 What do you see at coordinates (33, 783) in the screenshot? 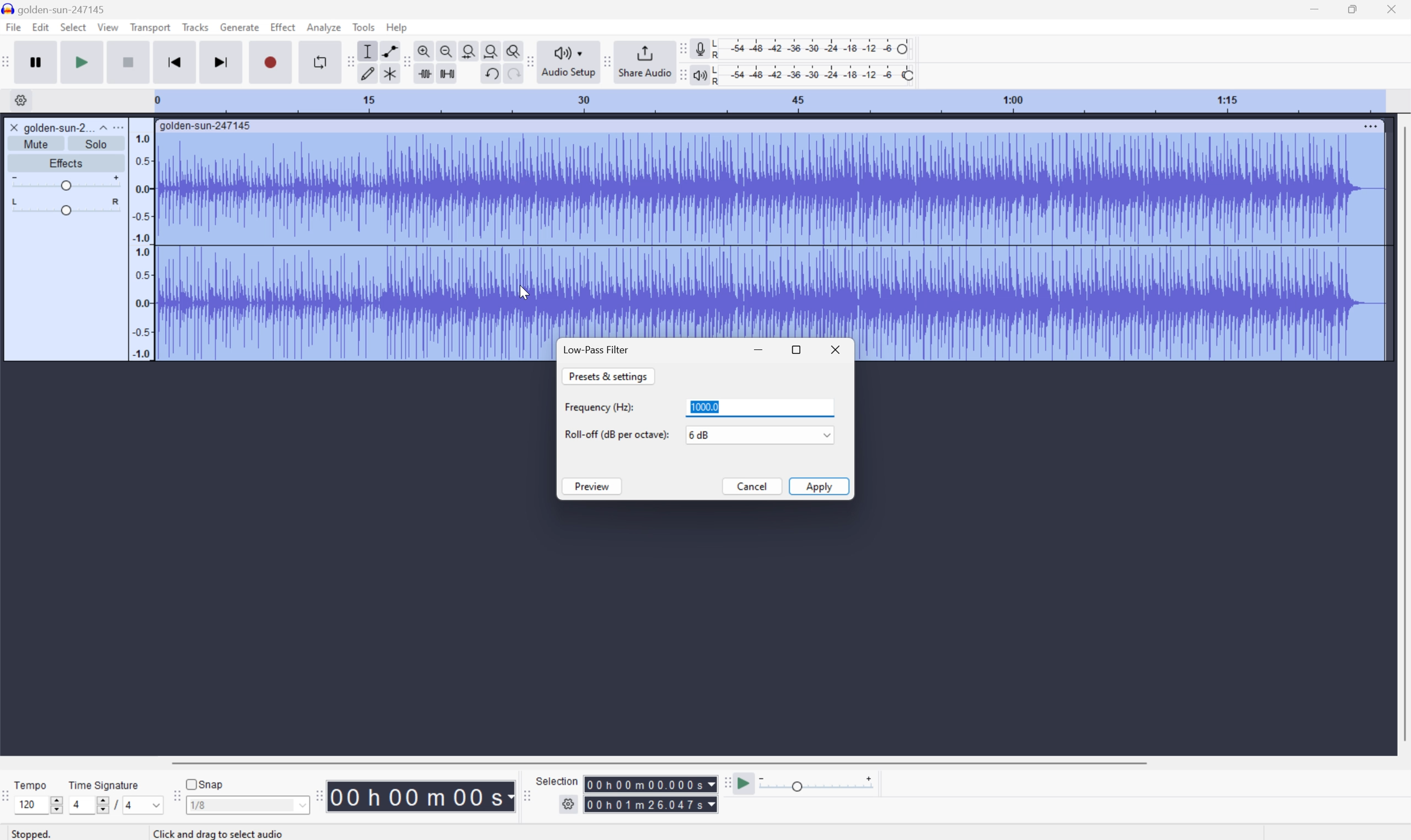
I see `Tempo` at bounding box center [33, 783].